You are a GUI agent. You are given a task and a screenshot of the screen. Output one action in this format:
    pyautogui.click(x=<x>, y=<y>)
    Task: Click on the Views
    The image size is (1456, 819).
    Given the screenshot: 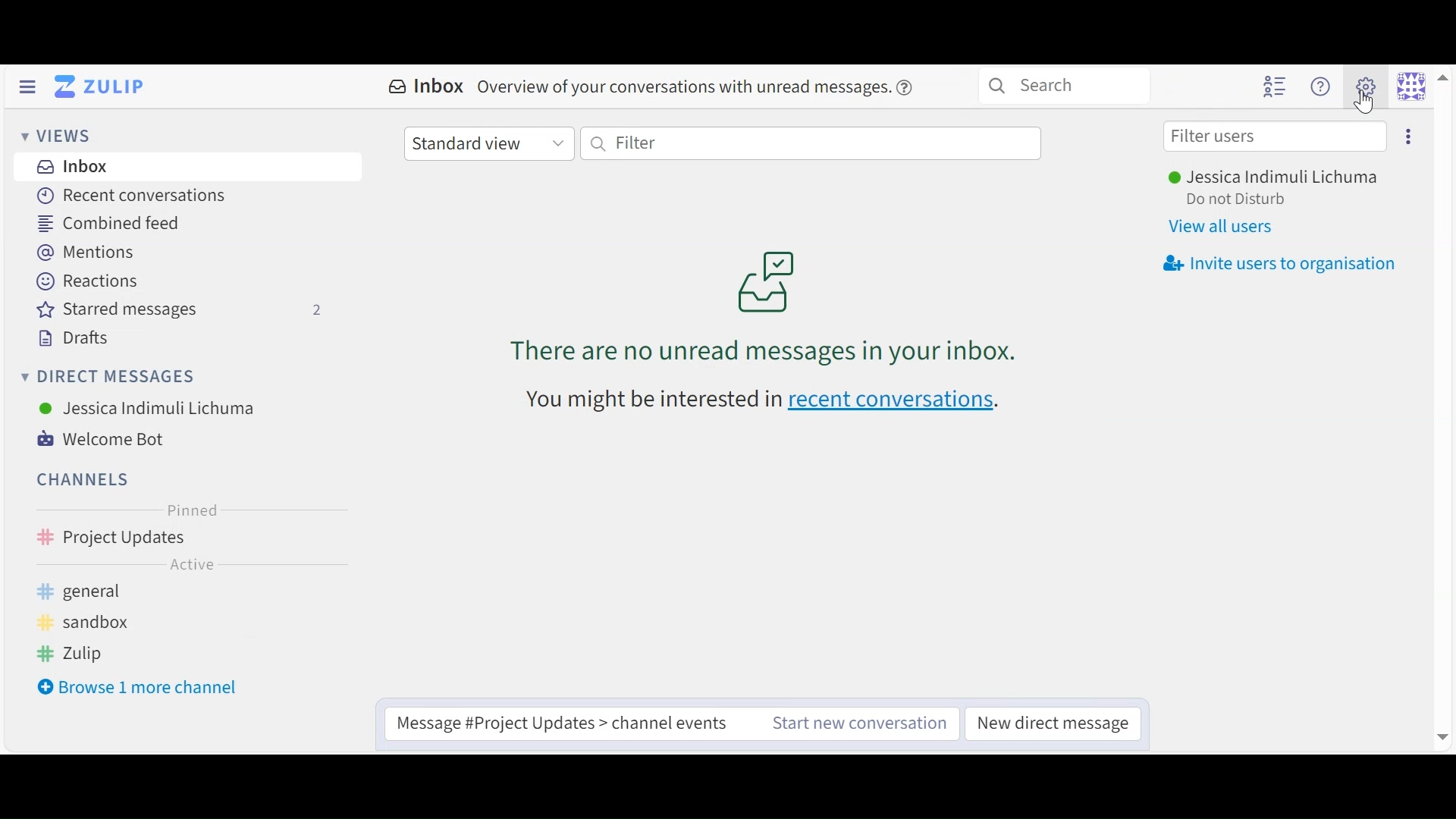 What is the action you would take?
    pyautogui.click(x=55, y=134)
    